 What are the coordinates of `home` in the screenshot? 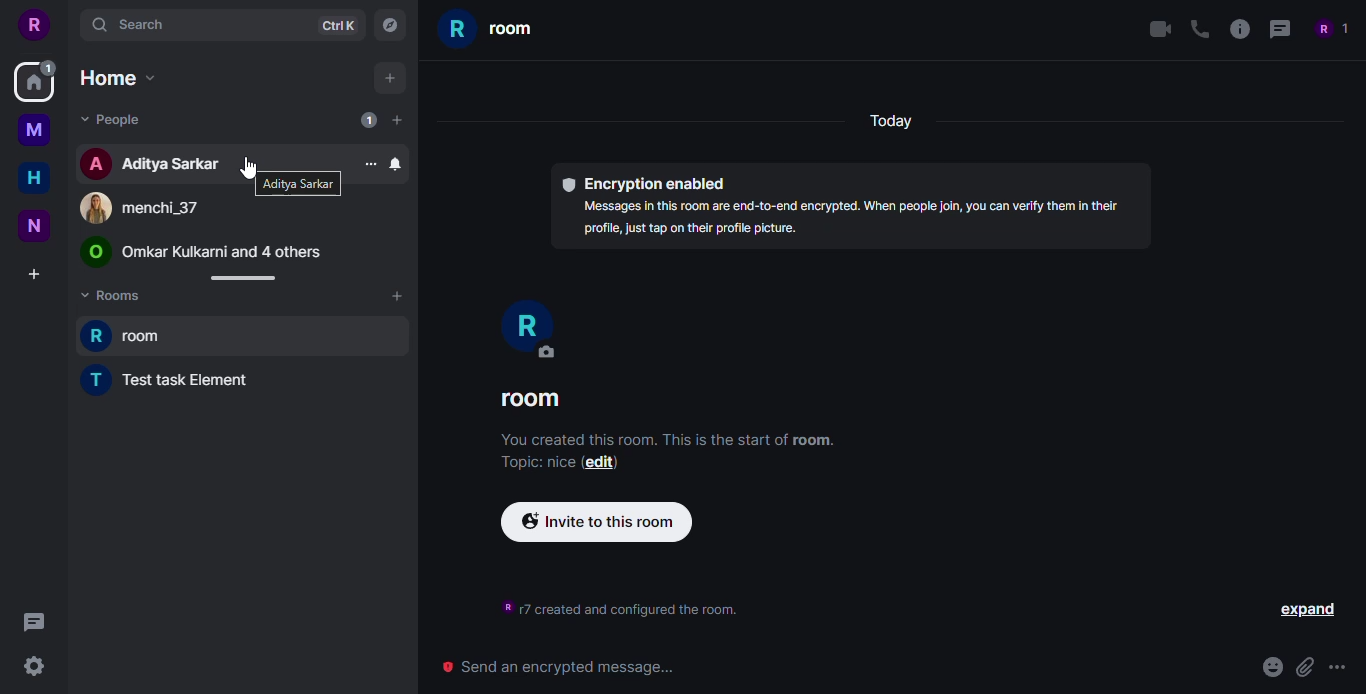 It's located at (32, 177).